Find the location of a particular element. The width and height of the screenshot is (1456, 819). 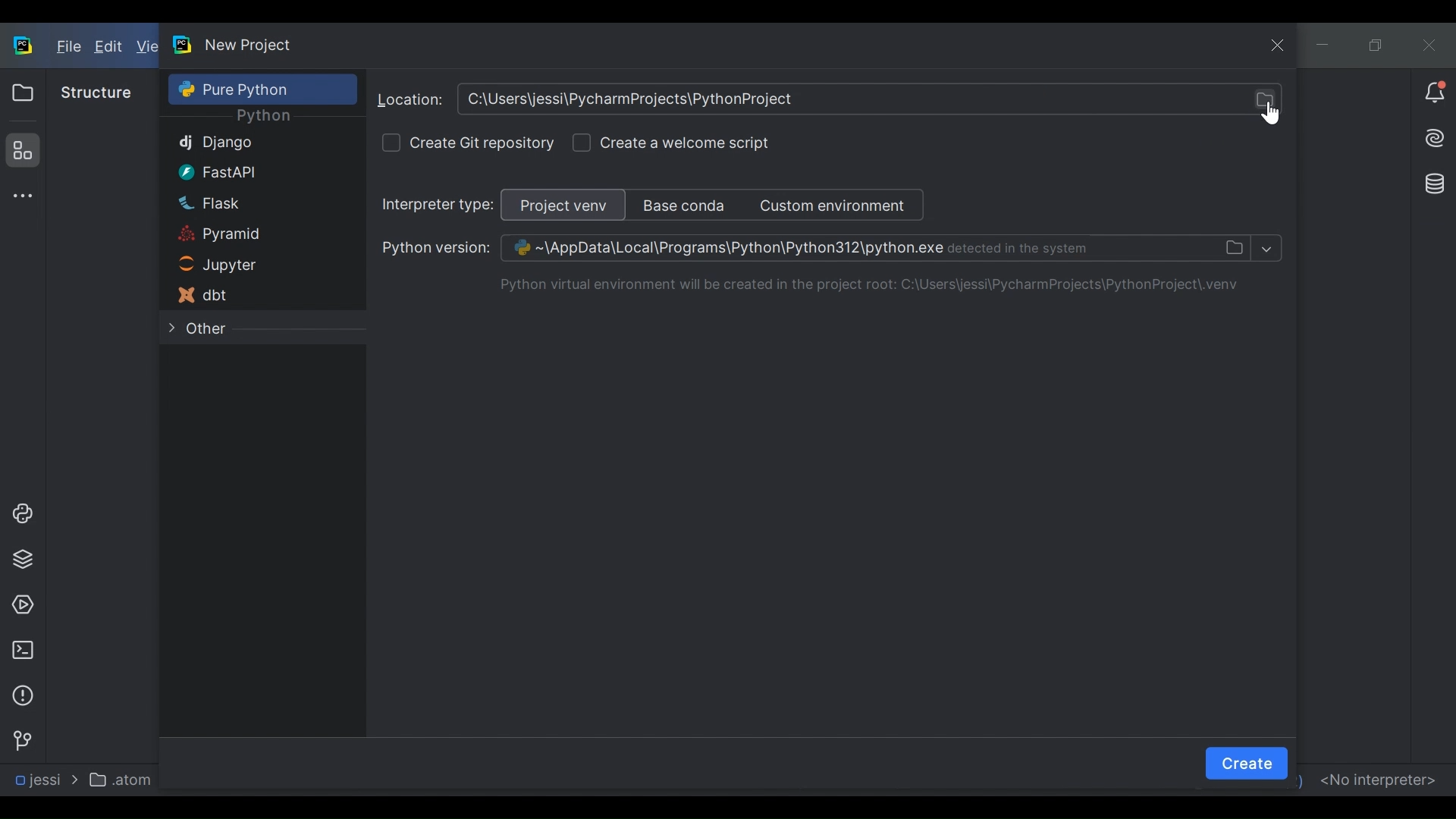

Cursor is located at coordinates (1267, 114).